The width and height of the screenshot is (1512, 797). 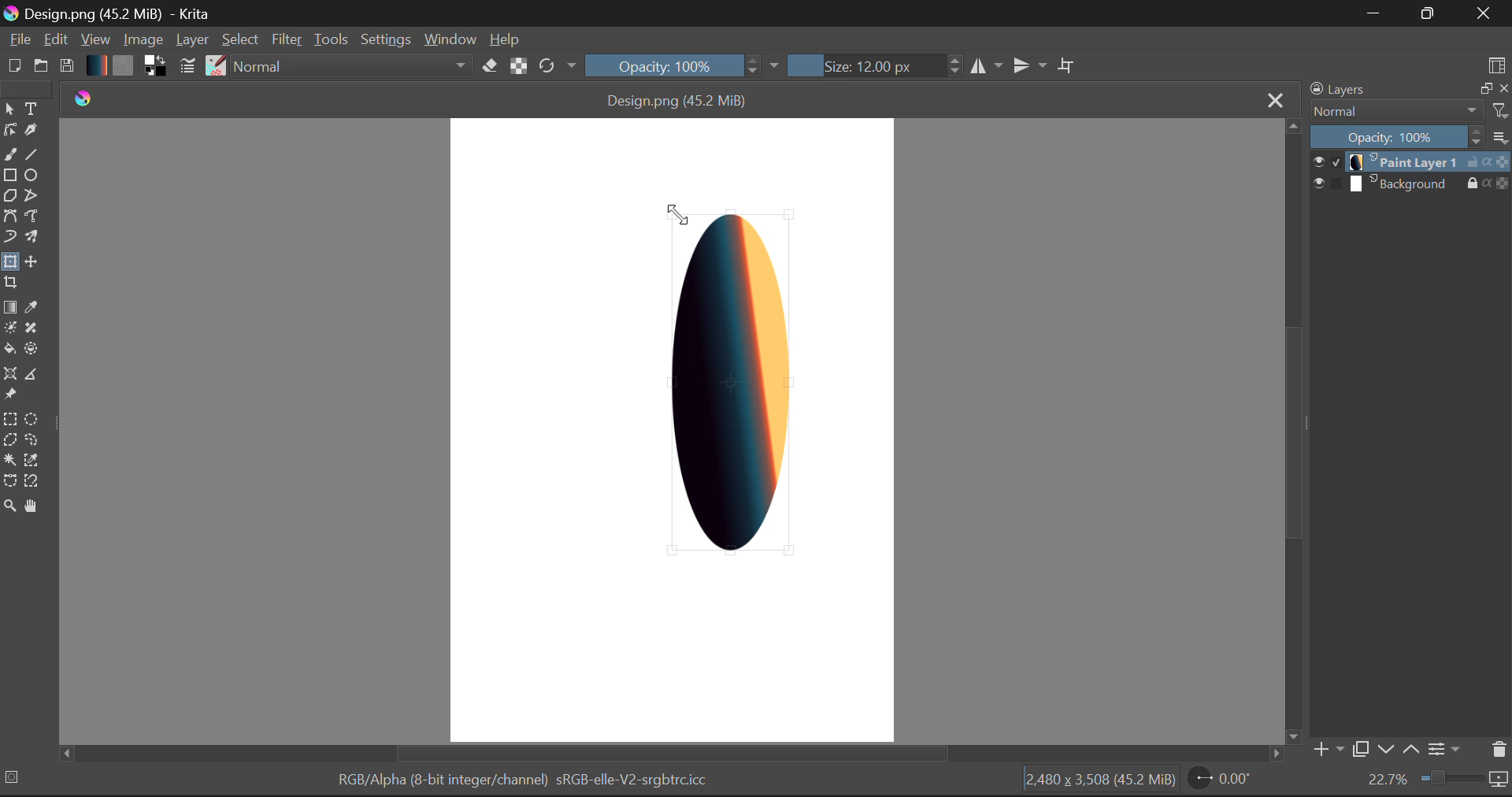 What do you see at coordinates (1497, 62) in the screenshot?
I see `Choose Workspace` at bounding box center [1497, 62].